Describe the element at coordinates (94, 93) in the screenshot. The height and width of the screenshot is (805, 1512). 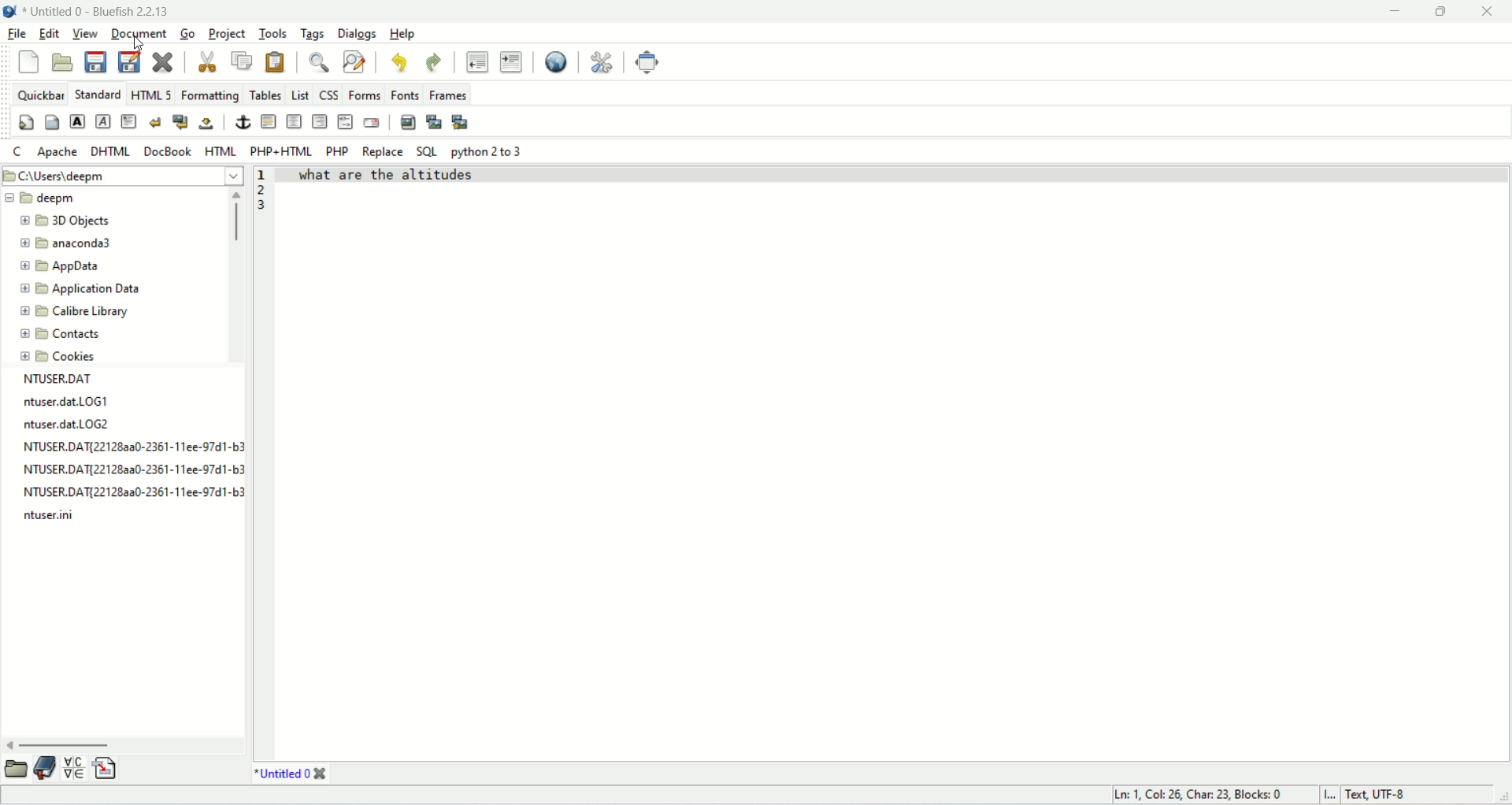
I see `standard` at that location.